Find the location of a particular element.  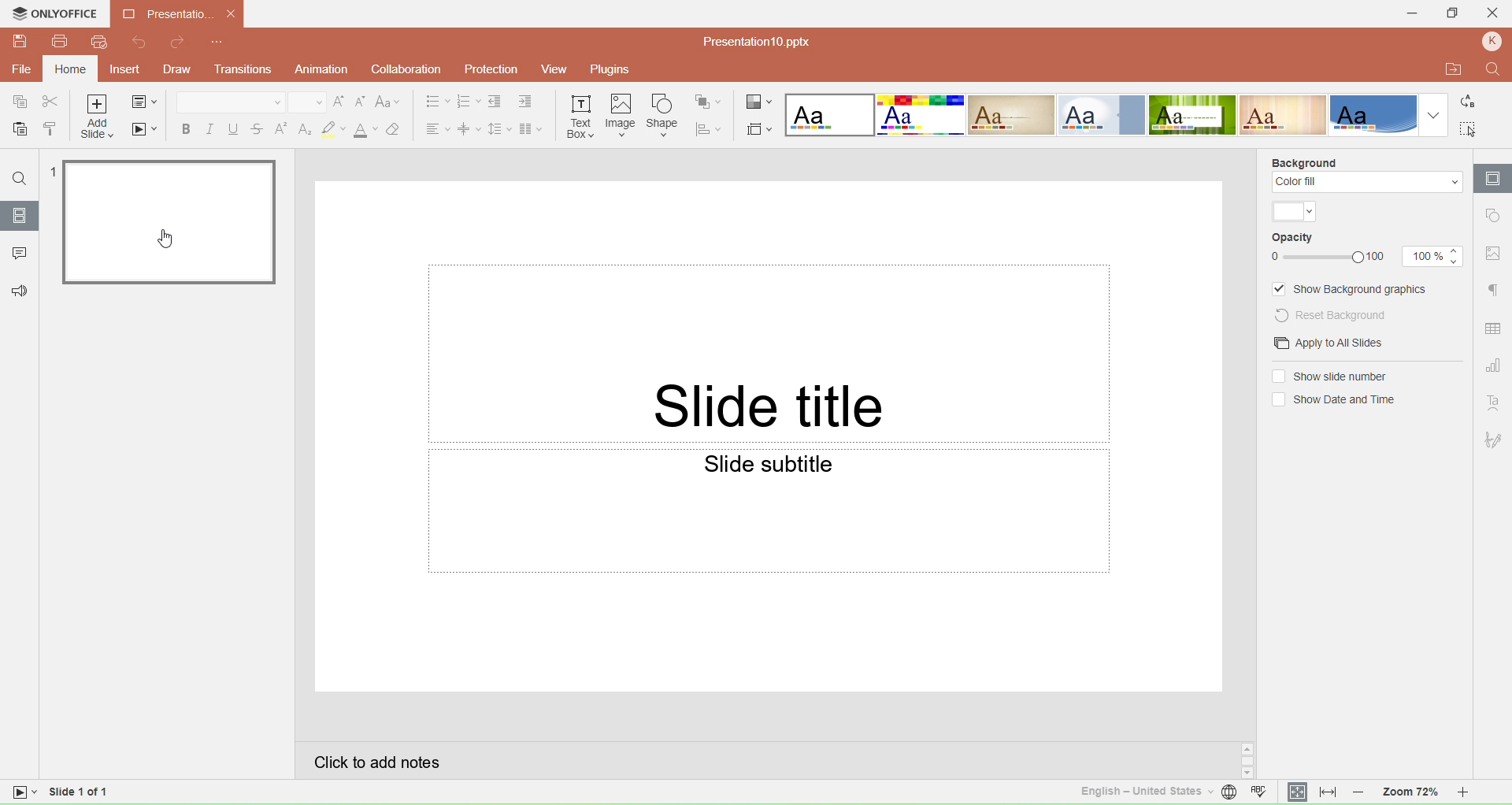

Draw is located at coordinates (182, 69).